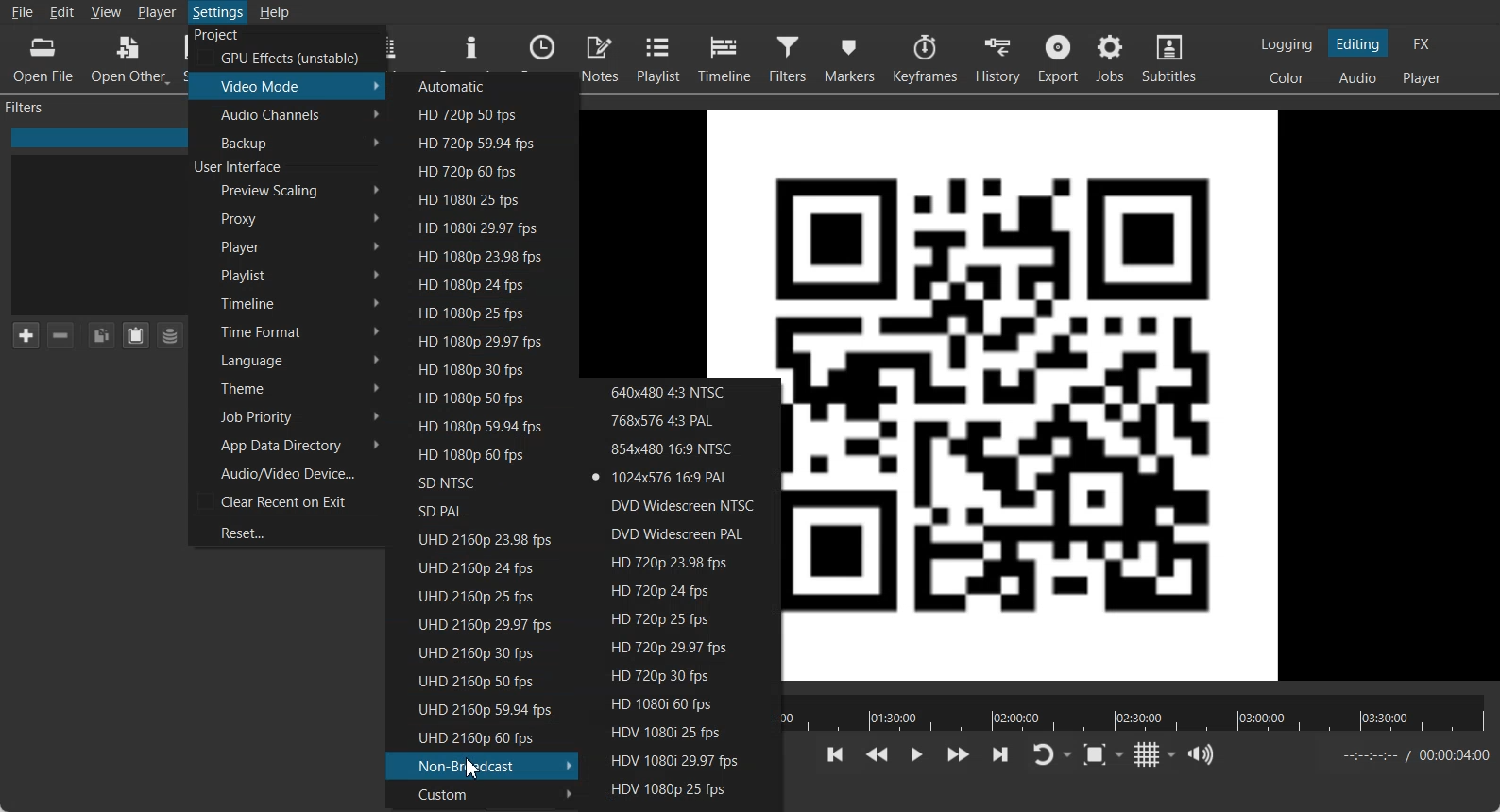 The height and width of the screenshot is (812, 1500). What do you see at coordinates (481, 171) in the screenshot?
I see `HD 720p 60 fps` at bounding box center [481, 171].